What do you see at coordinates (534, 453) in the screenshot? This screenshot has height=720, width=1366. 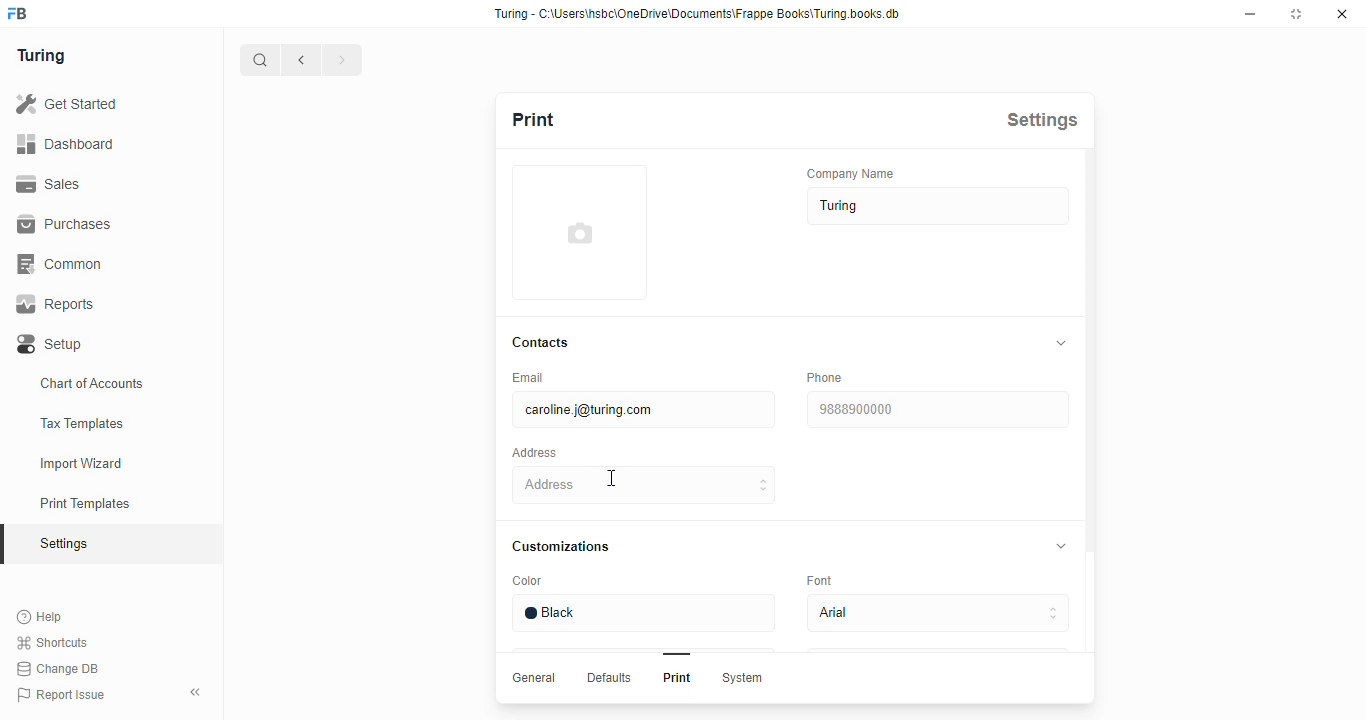 I see `address` at bounding box center [534, 453].